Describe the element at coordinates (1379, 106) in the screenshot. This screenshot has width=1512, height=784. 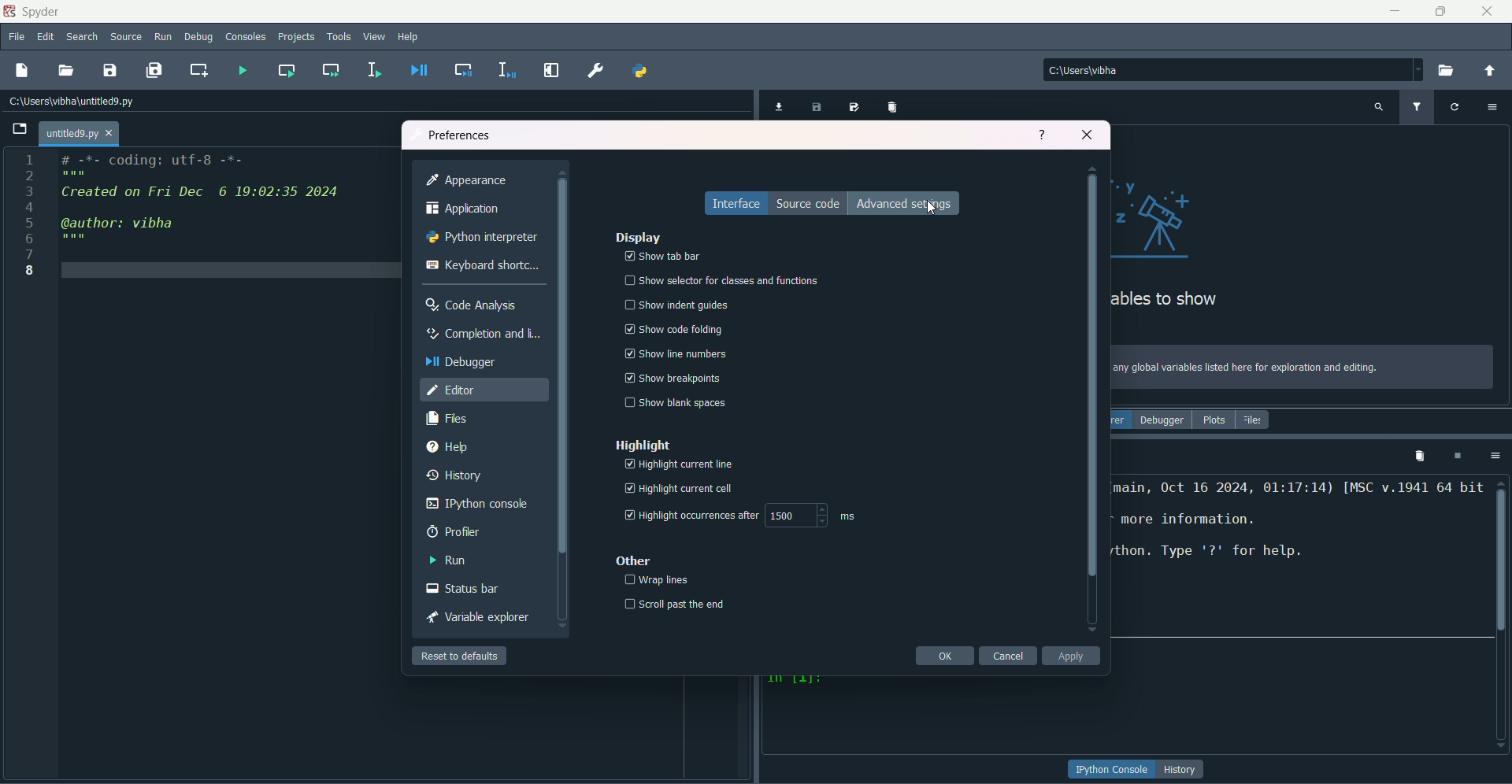
I see `search variable` at that location.